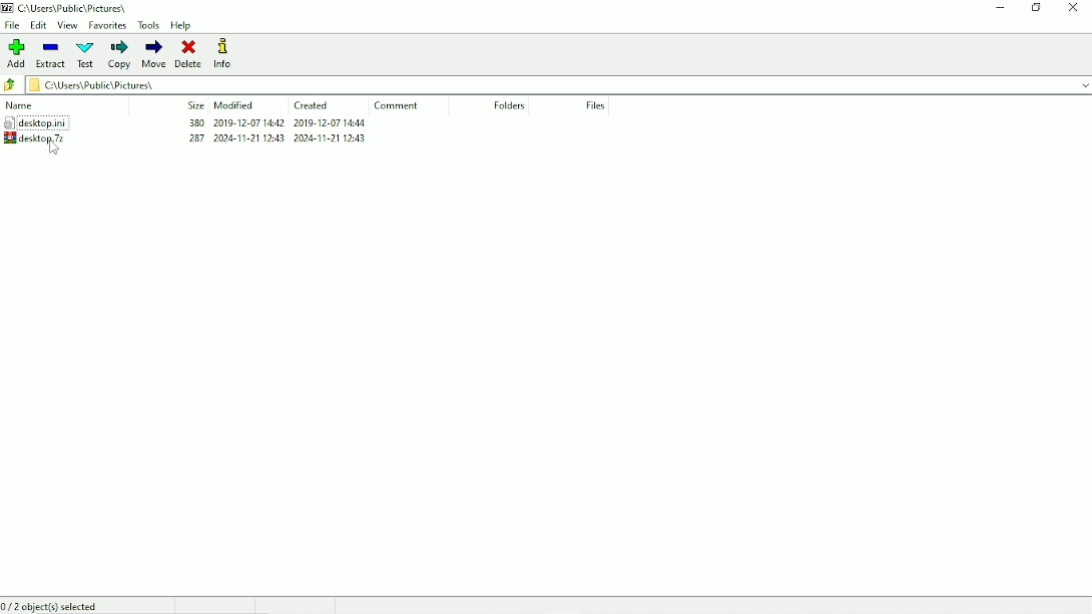 The width and height of the screenshot is (1092, 614). What do you see at coordinates (252, 122) in the screenshot?
I see `2019-12-07 14.42` at bounding box center [252, 122].